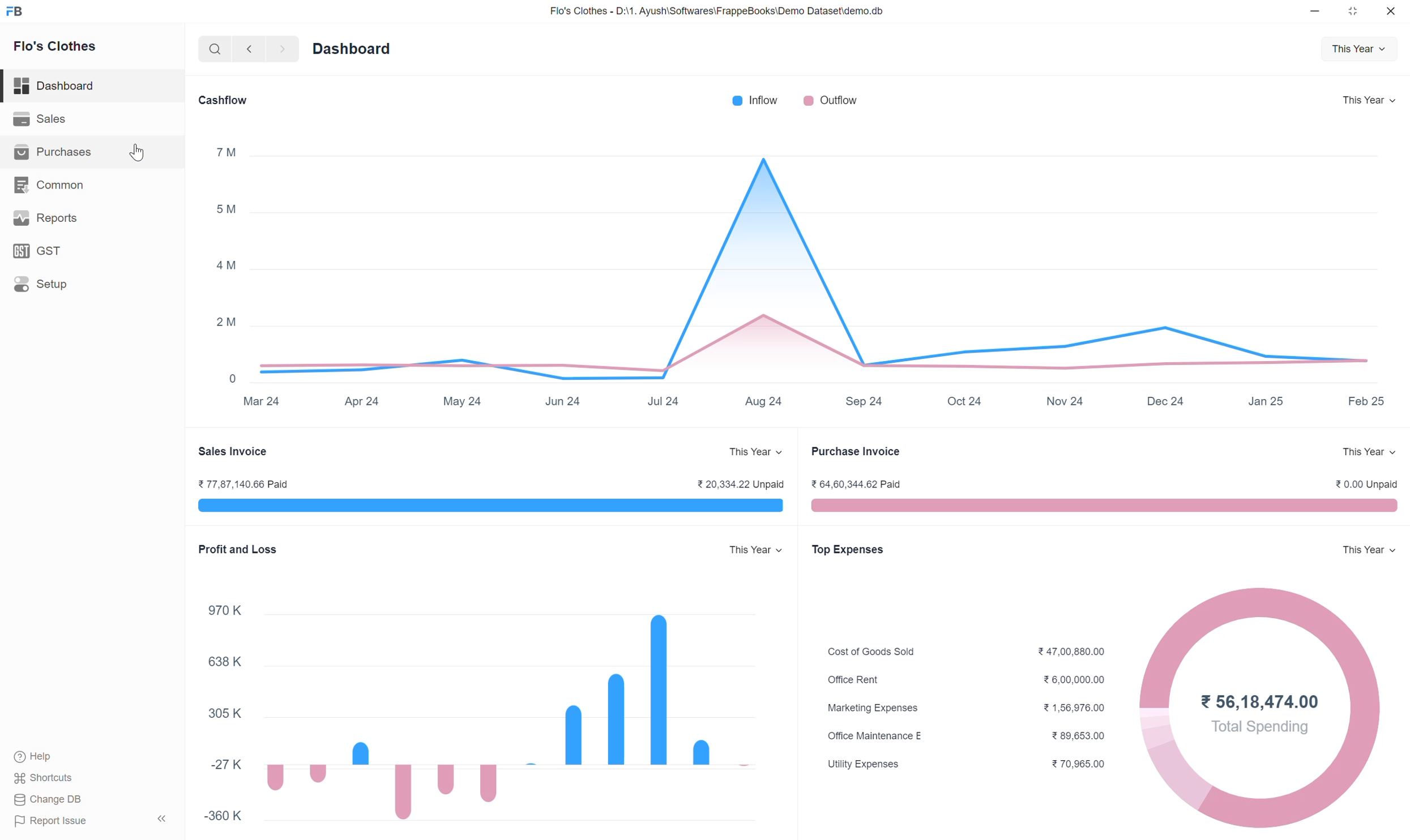  Describe the element at coordinates (92, 218) in the screenshot. I see `Reports` at that location.